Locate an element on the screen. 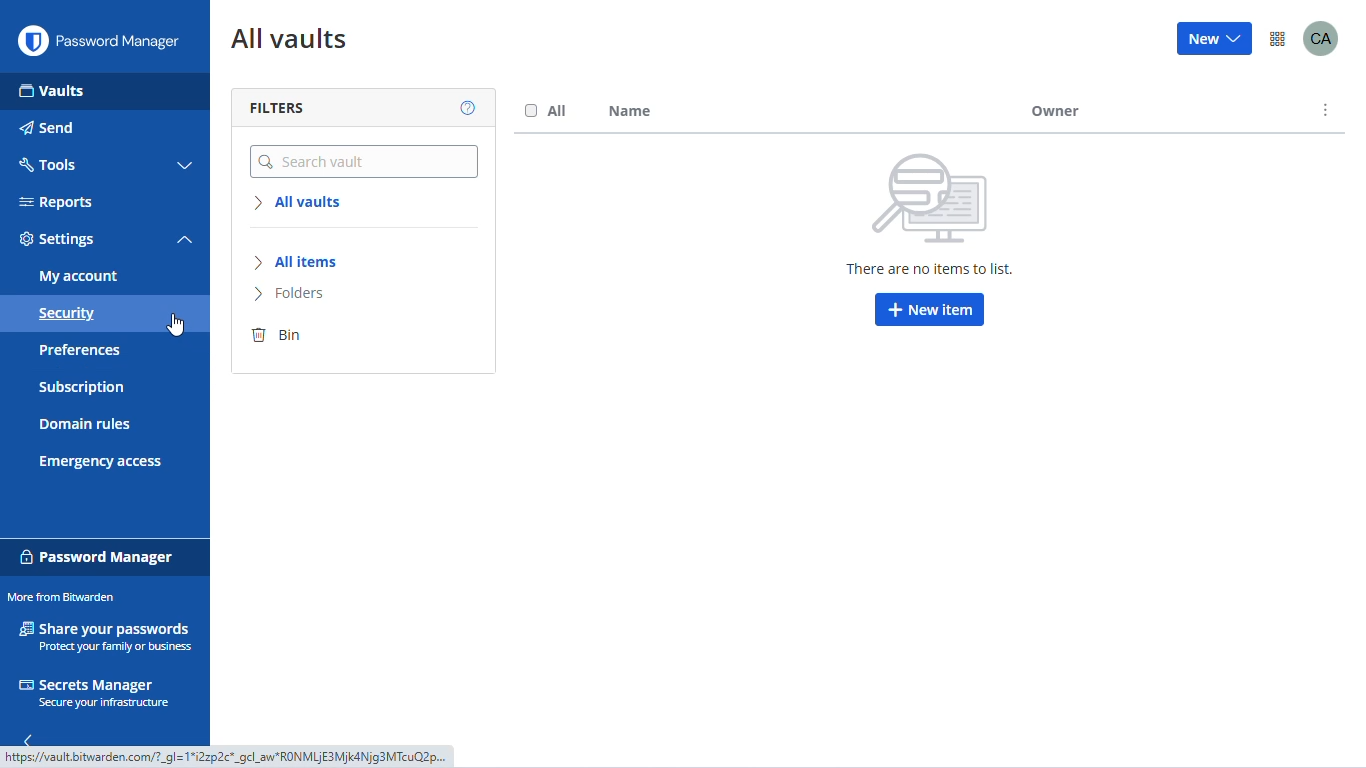 This screenshot has width=1366, height=768. https://vault bitwarden.com/?_gl=1*i2zp2c*_gcl_aw*RONMLIE3Mjk4Njg3MTcuQ2p... is located at coordinates (233, 758).